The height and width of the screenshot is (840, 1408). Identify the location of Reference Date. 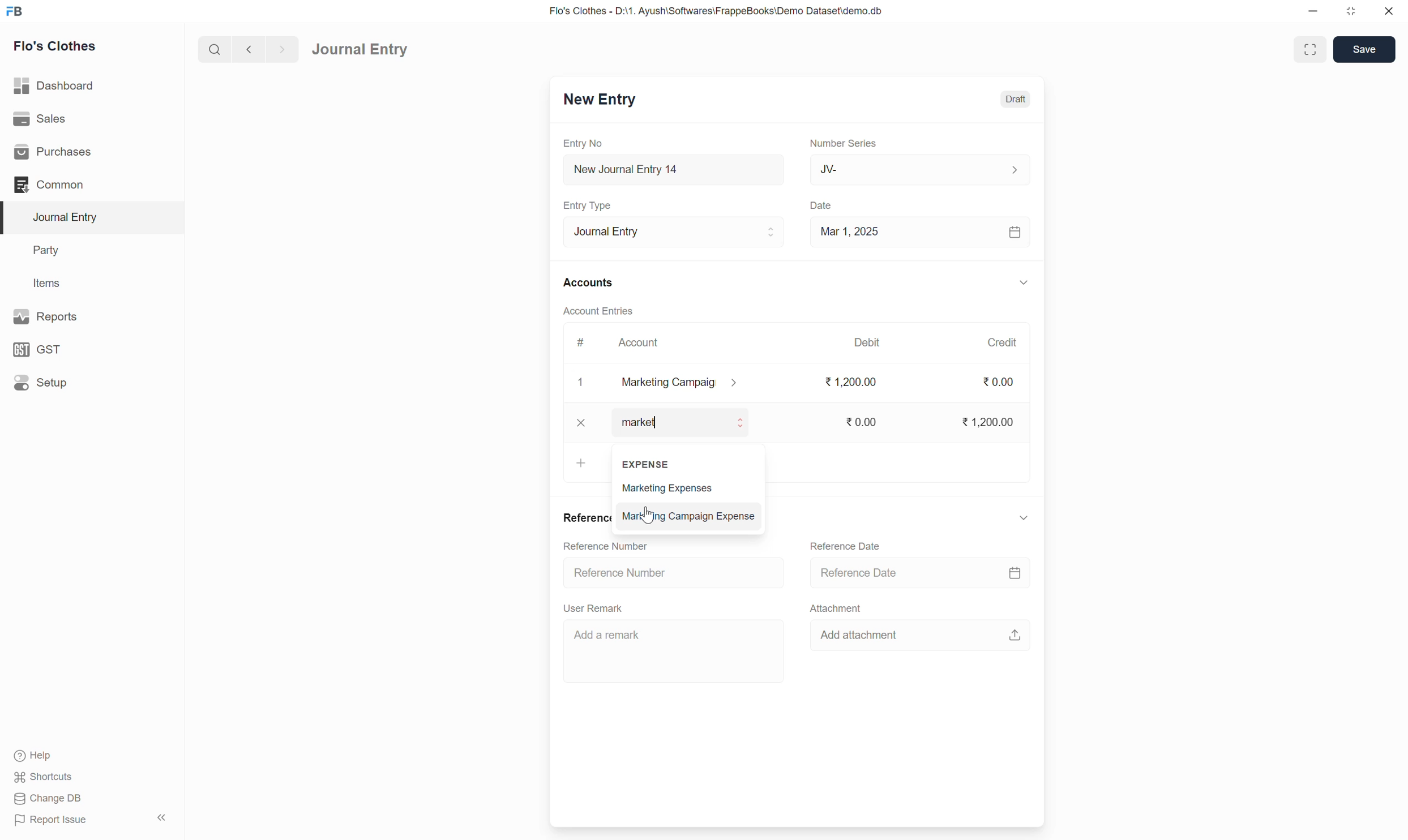
(848, 547).